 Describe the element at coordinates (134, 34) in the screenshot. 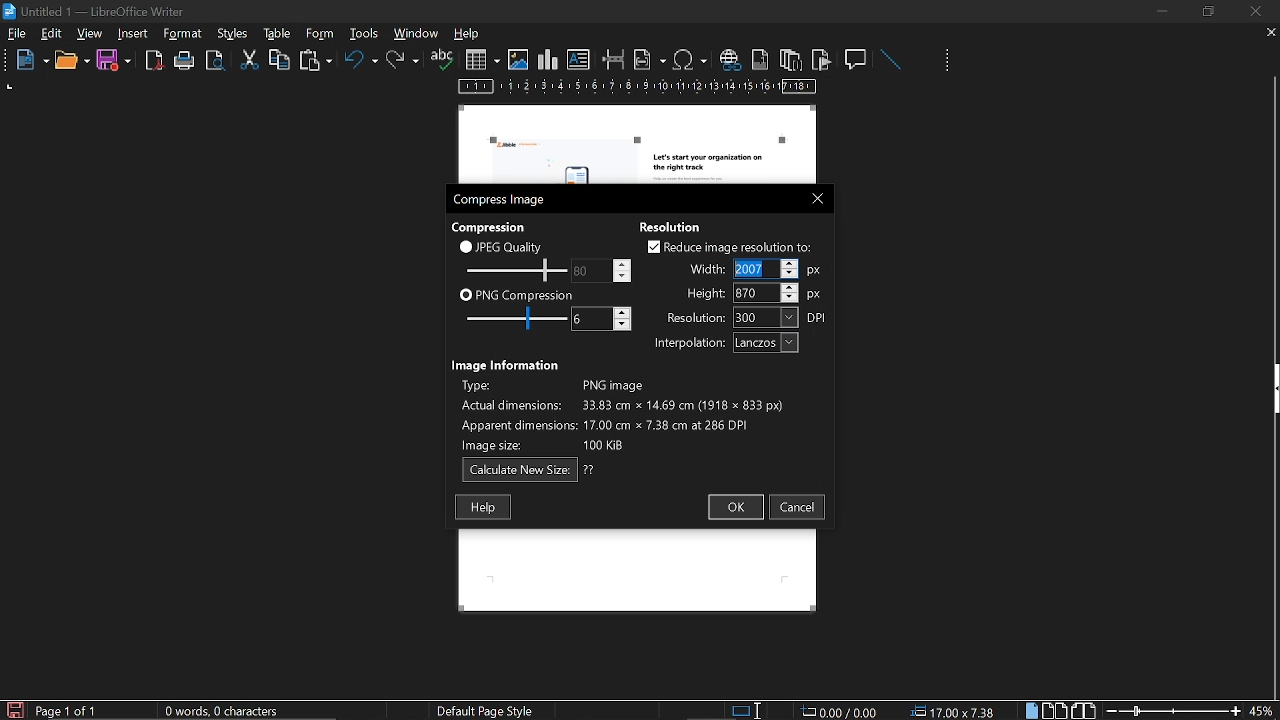

I see `insert` at that location.